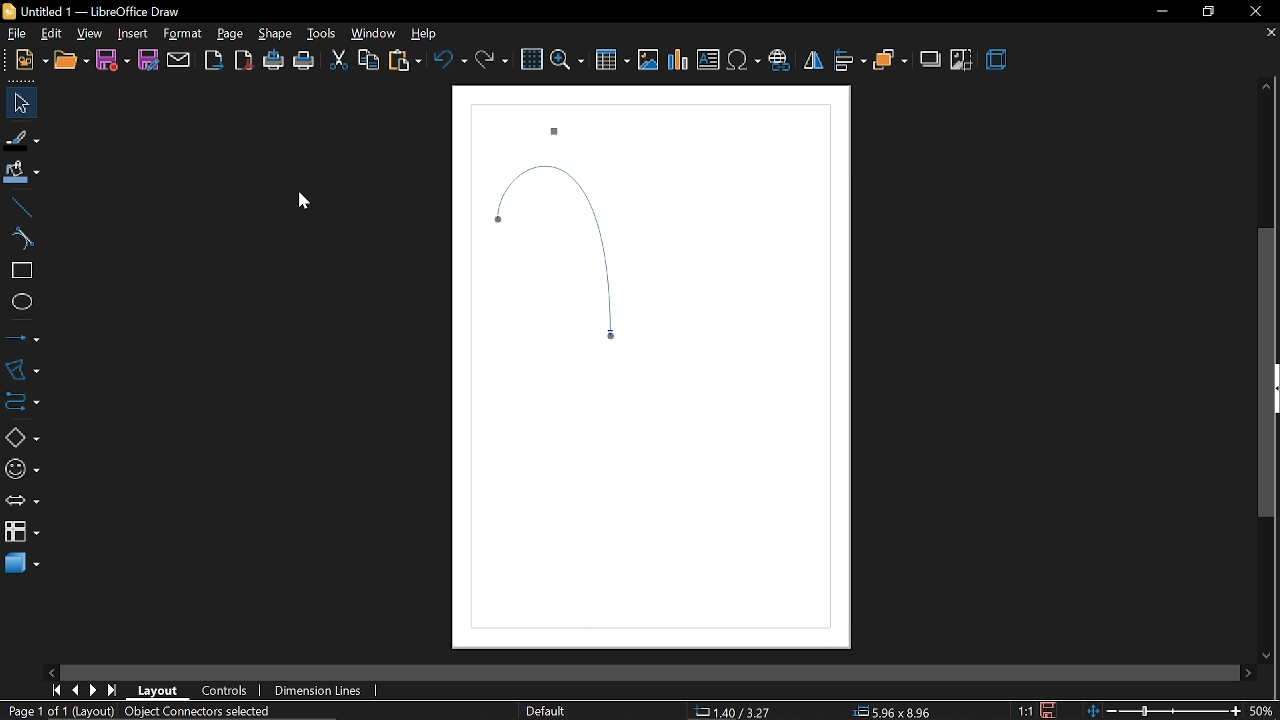  What do you see at coordinates (38, 711) in the screenshot?
I see `Page 1 of 1` at bounding box center [38, 711].